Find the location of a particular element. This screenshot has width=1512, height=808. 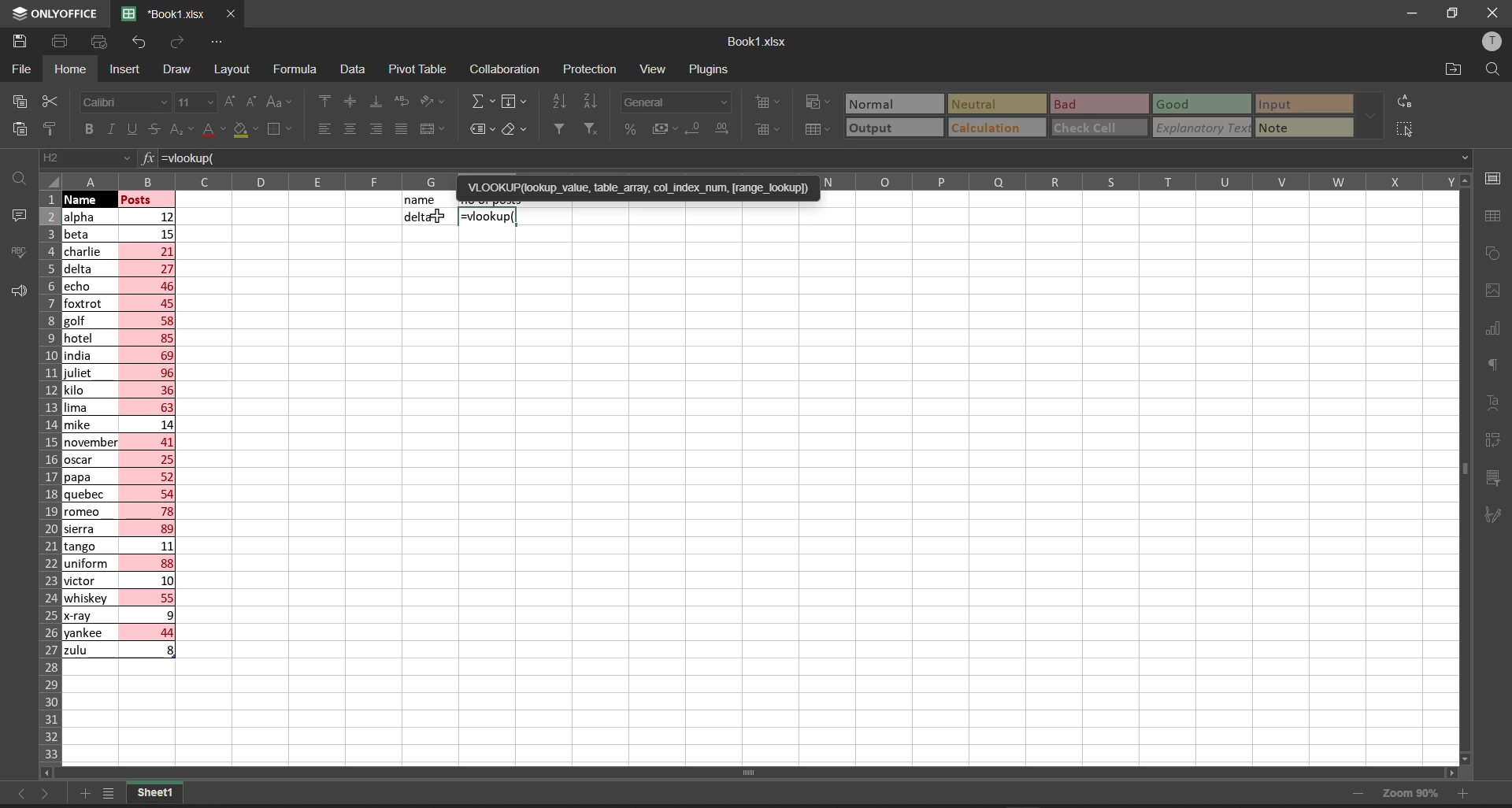

name is located at coordinates (421, 200).